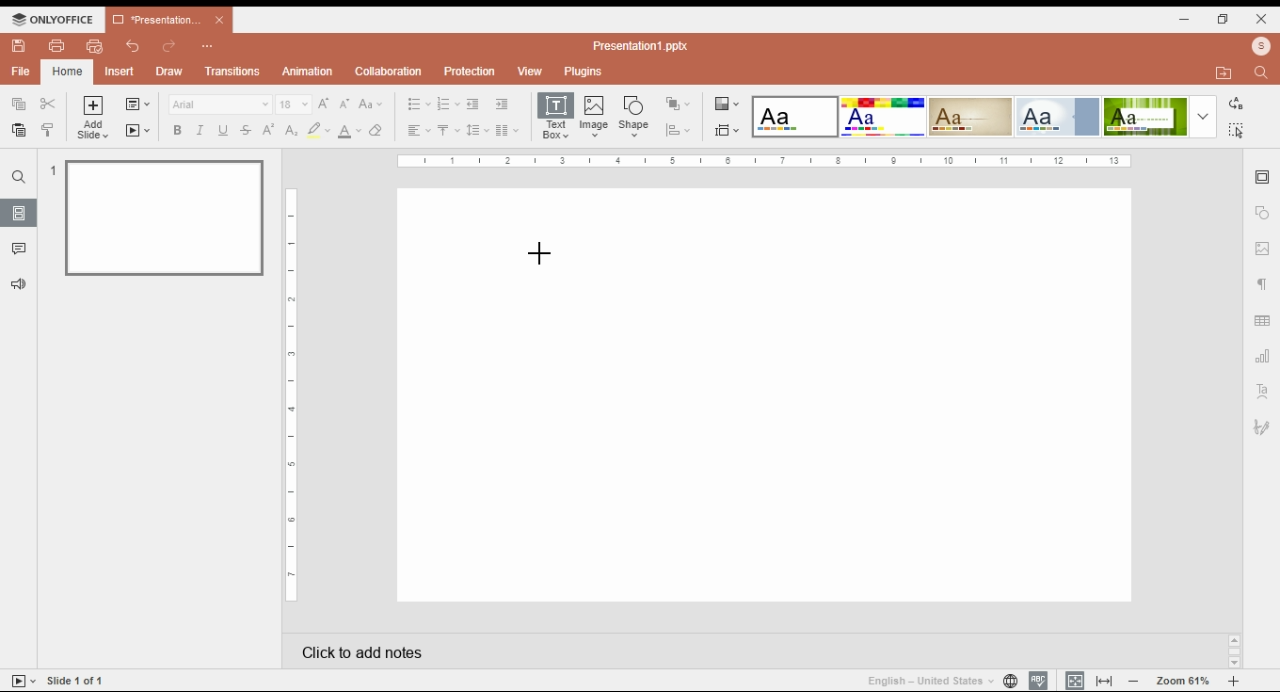  I want to click on increase zoom, so click(1234, 681).